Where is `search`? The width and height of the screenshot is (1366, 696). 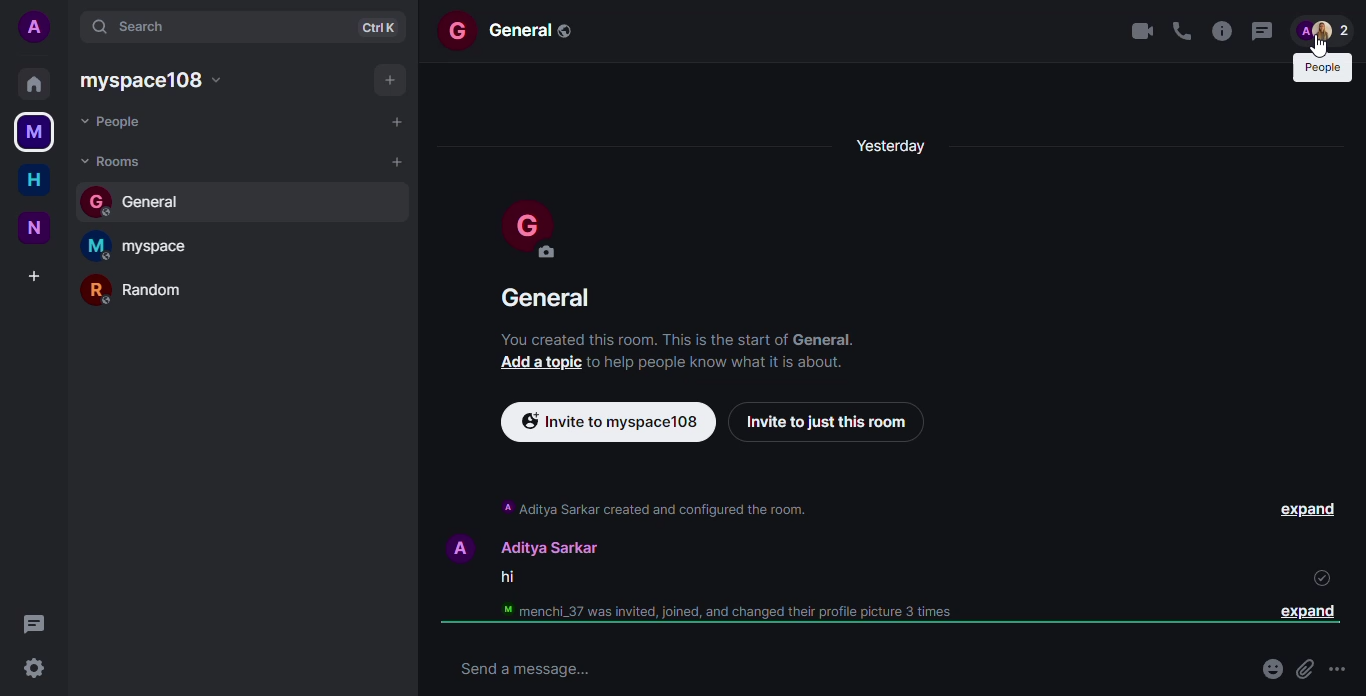 search is located at coordinates (135, 24).